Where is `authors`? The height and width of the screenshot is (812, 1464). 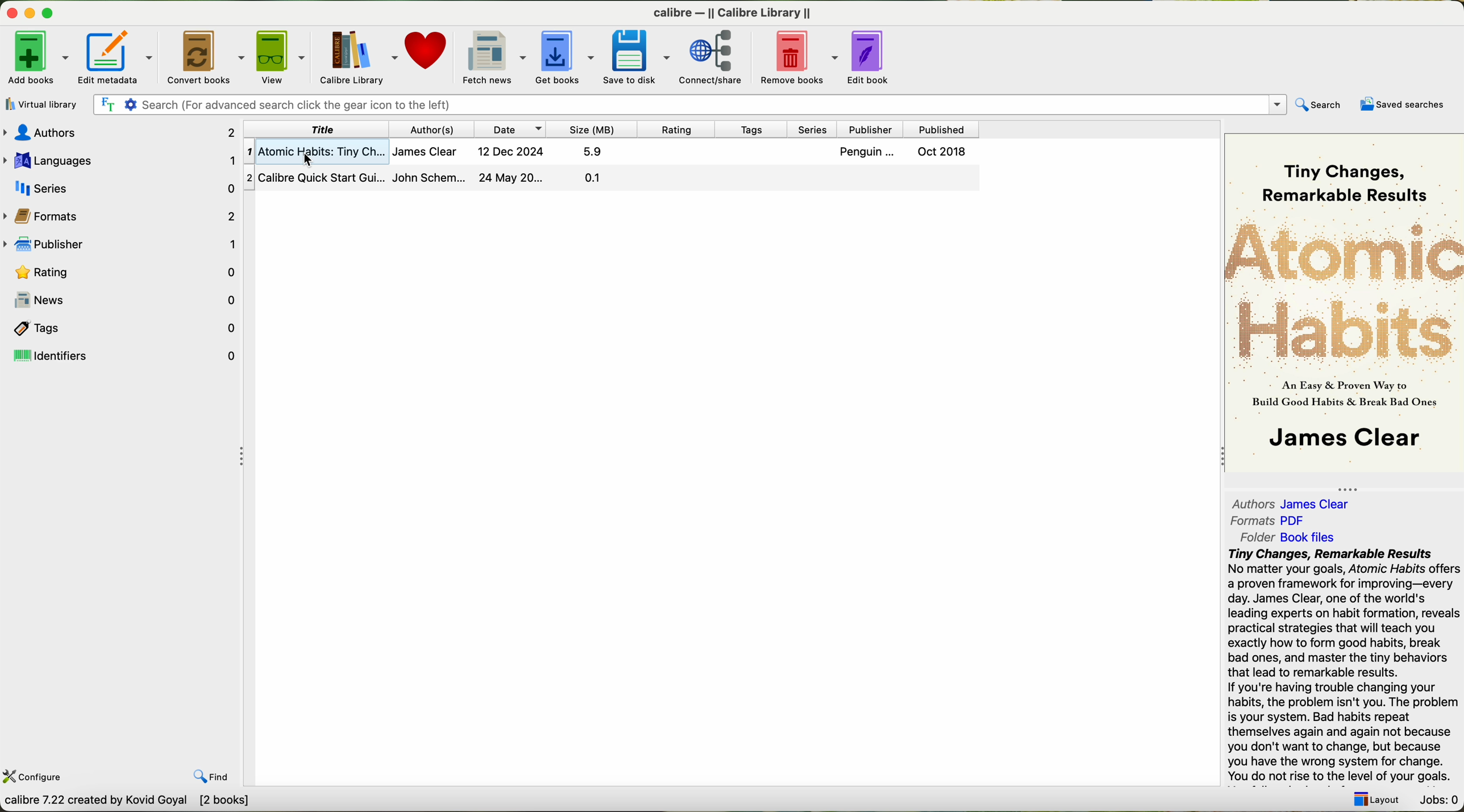
authors is located at coordinates (1299, 503).